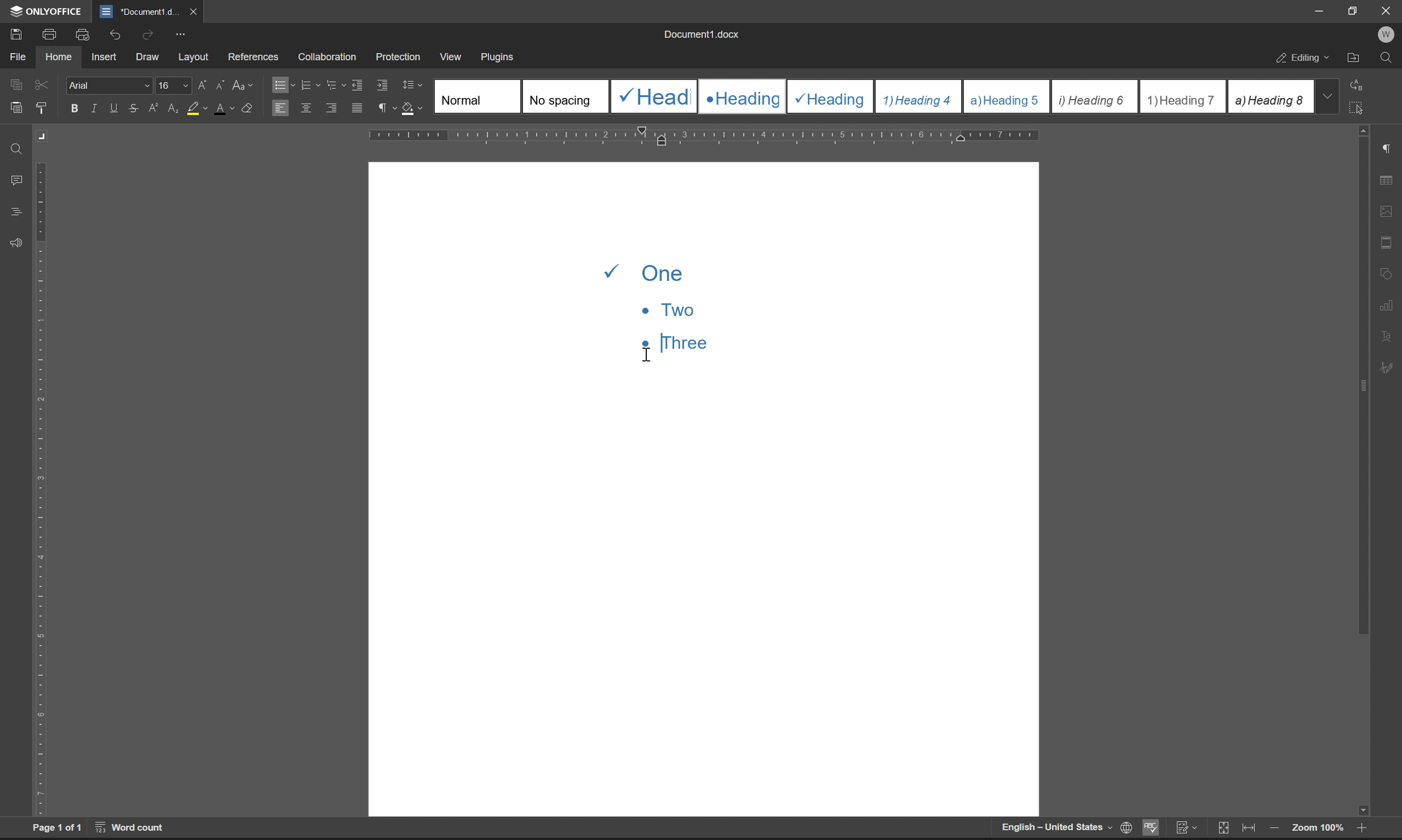  What do you see at coordinates (1270, 96) in the screenshot?
I see `Heading 8` at bounding box center [1270, 96].